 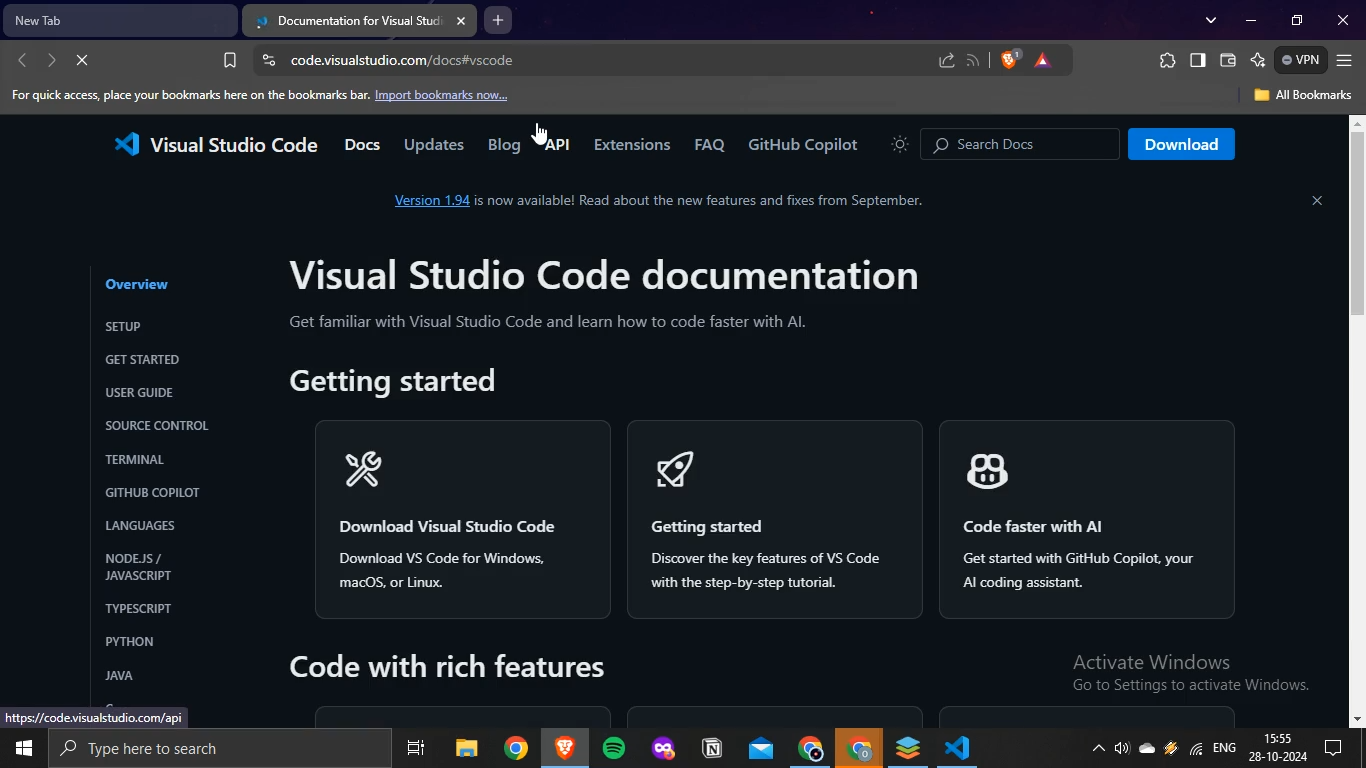 What do you see at coordinates (556, 145) in the screenshot?
I see `API` at bounding box center [556, 145].